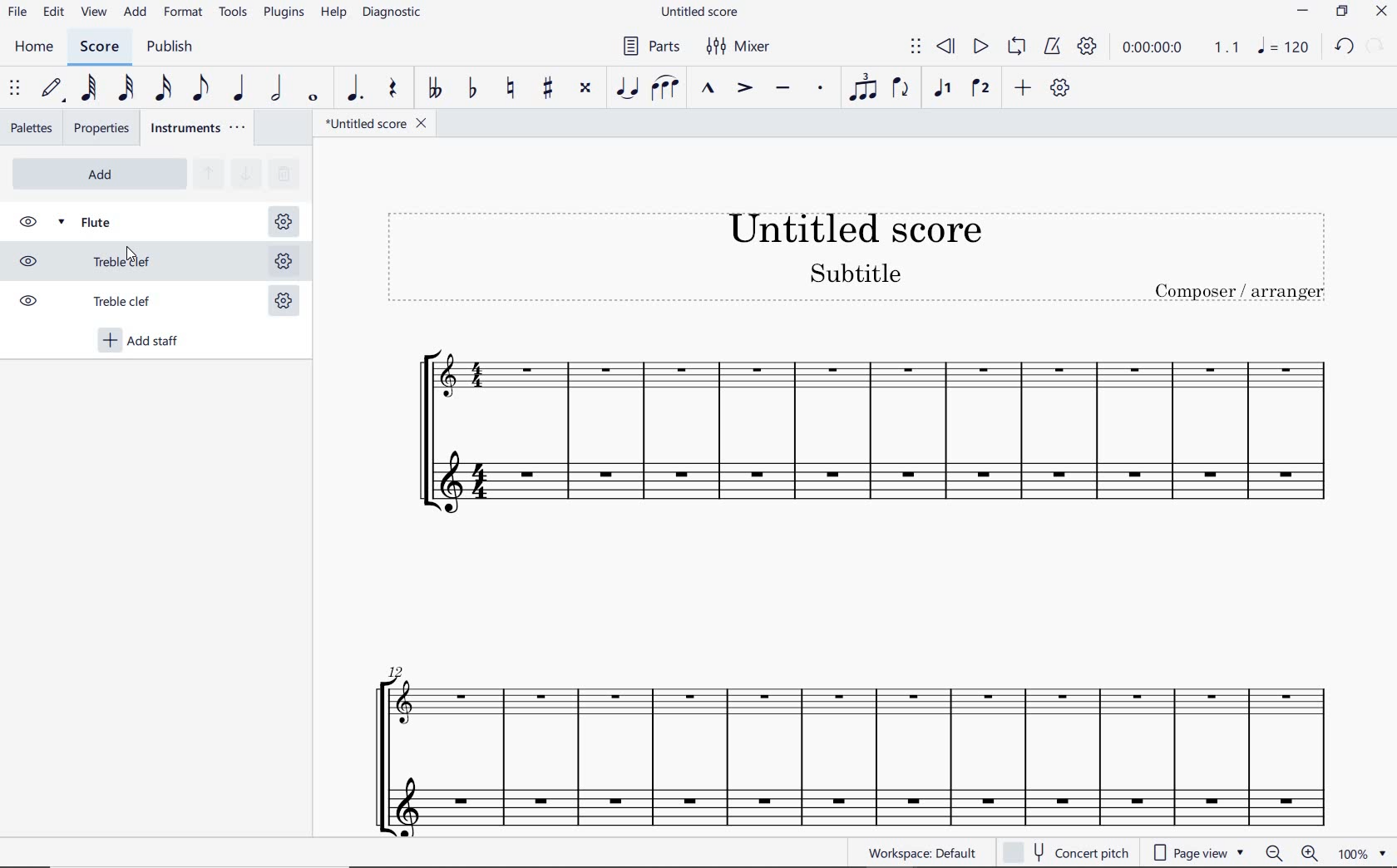 Image resolution: width=1397 pixels, height=868 pixels. Describe the element at coordinates (1360, 854) in the screenshot. I see `zoom factor` at that location.